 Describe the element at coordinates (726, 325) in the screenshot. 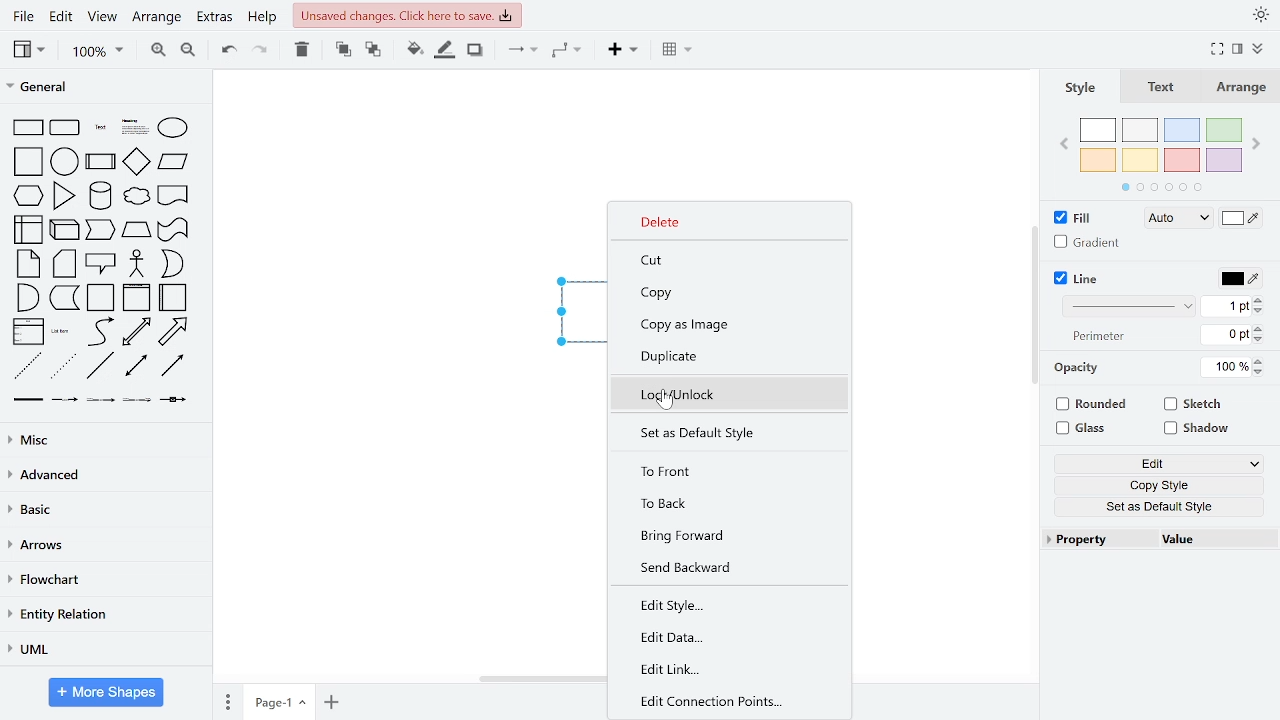

I see `copy as image` at that location.